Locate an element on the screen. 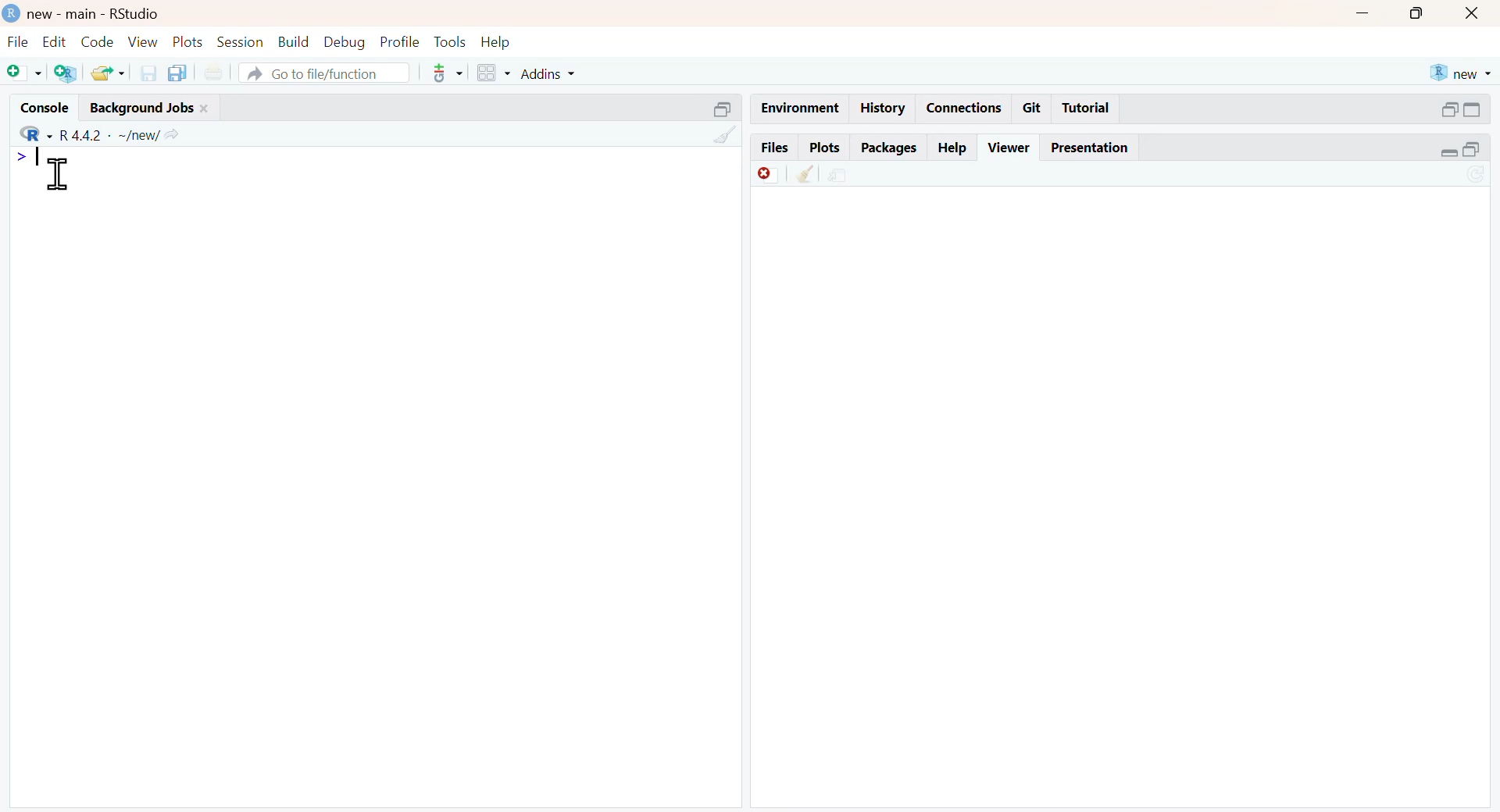 This screenshot has height=812, width=1500. grid is located at coordinates (494, 72).